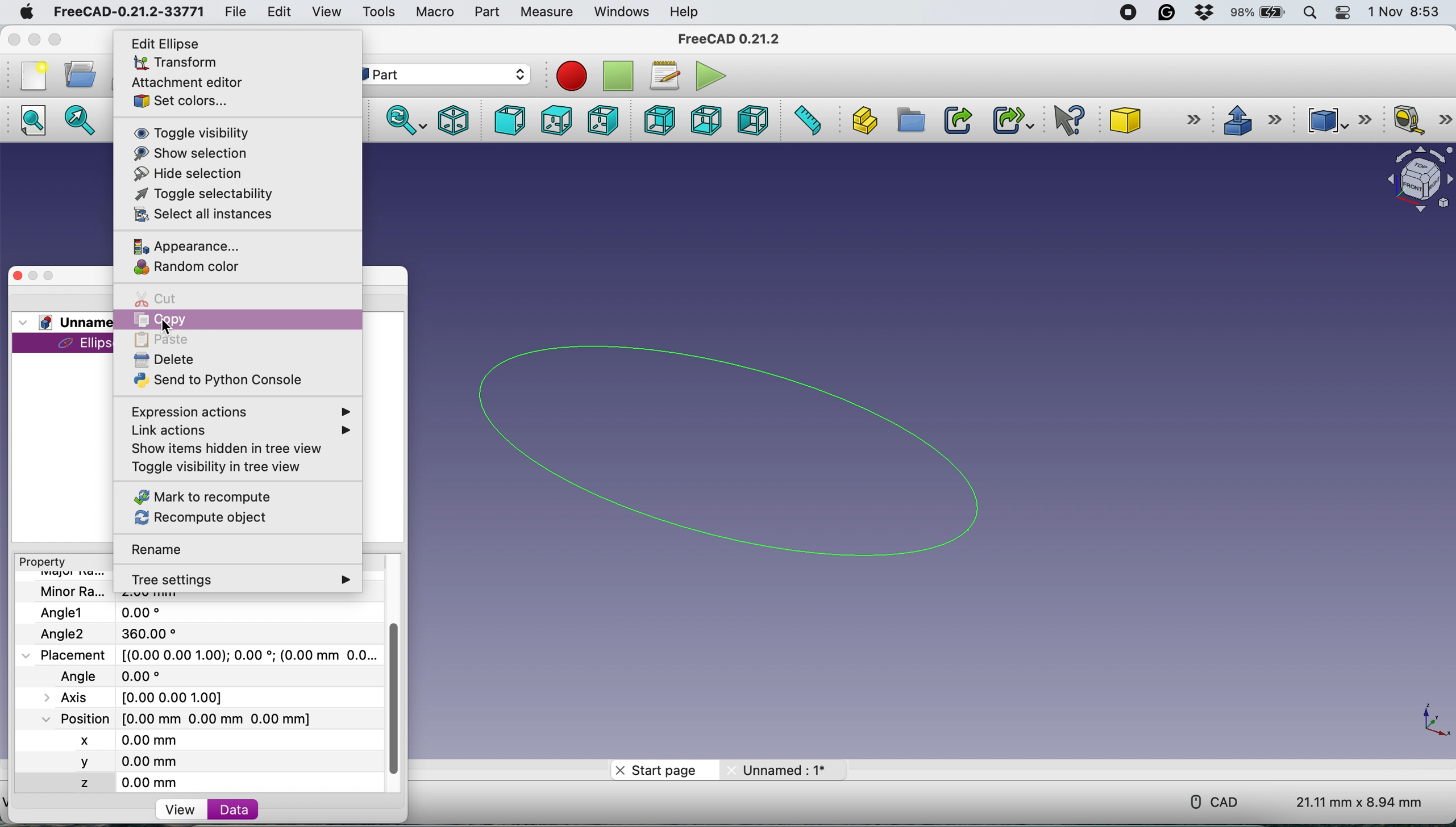 This screenshot has width=1456, height=827. I want to click on battery, so click(1257, 14).